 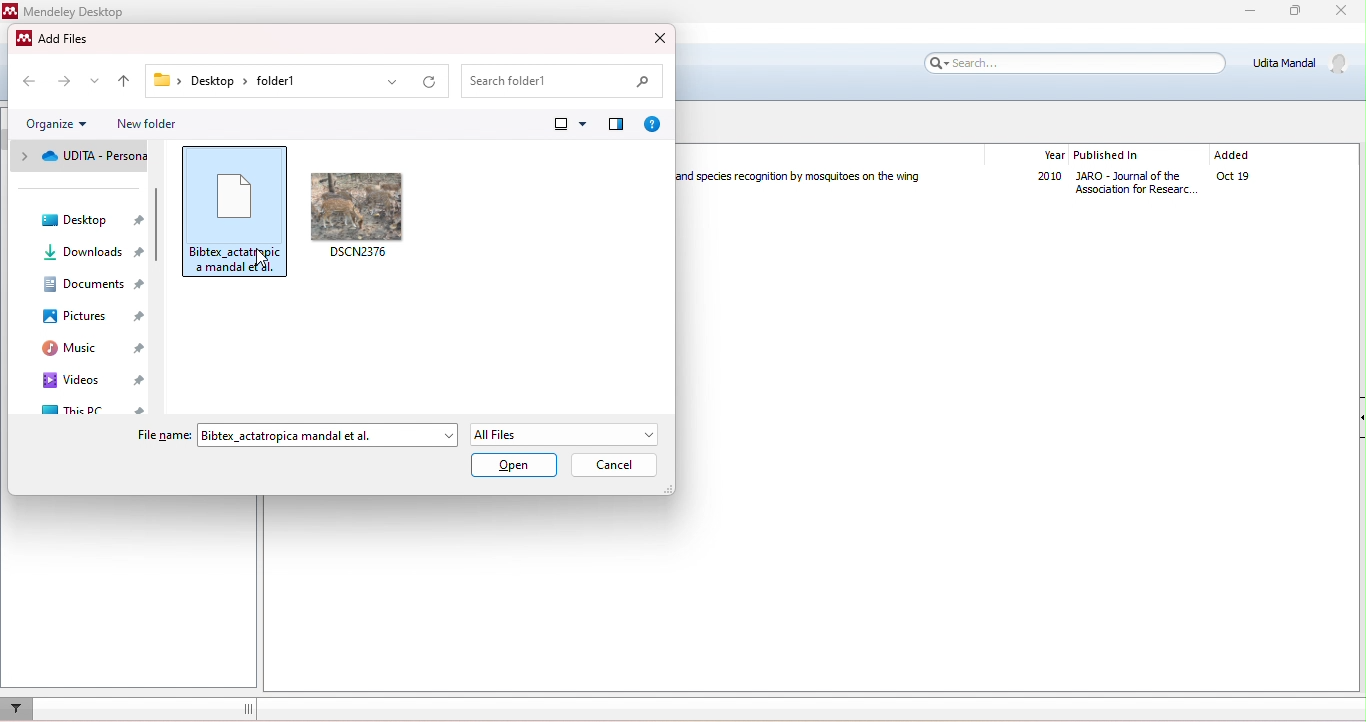 I want to click on drop down, so click(x=449, y=435).